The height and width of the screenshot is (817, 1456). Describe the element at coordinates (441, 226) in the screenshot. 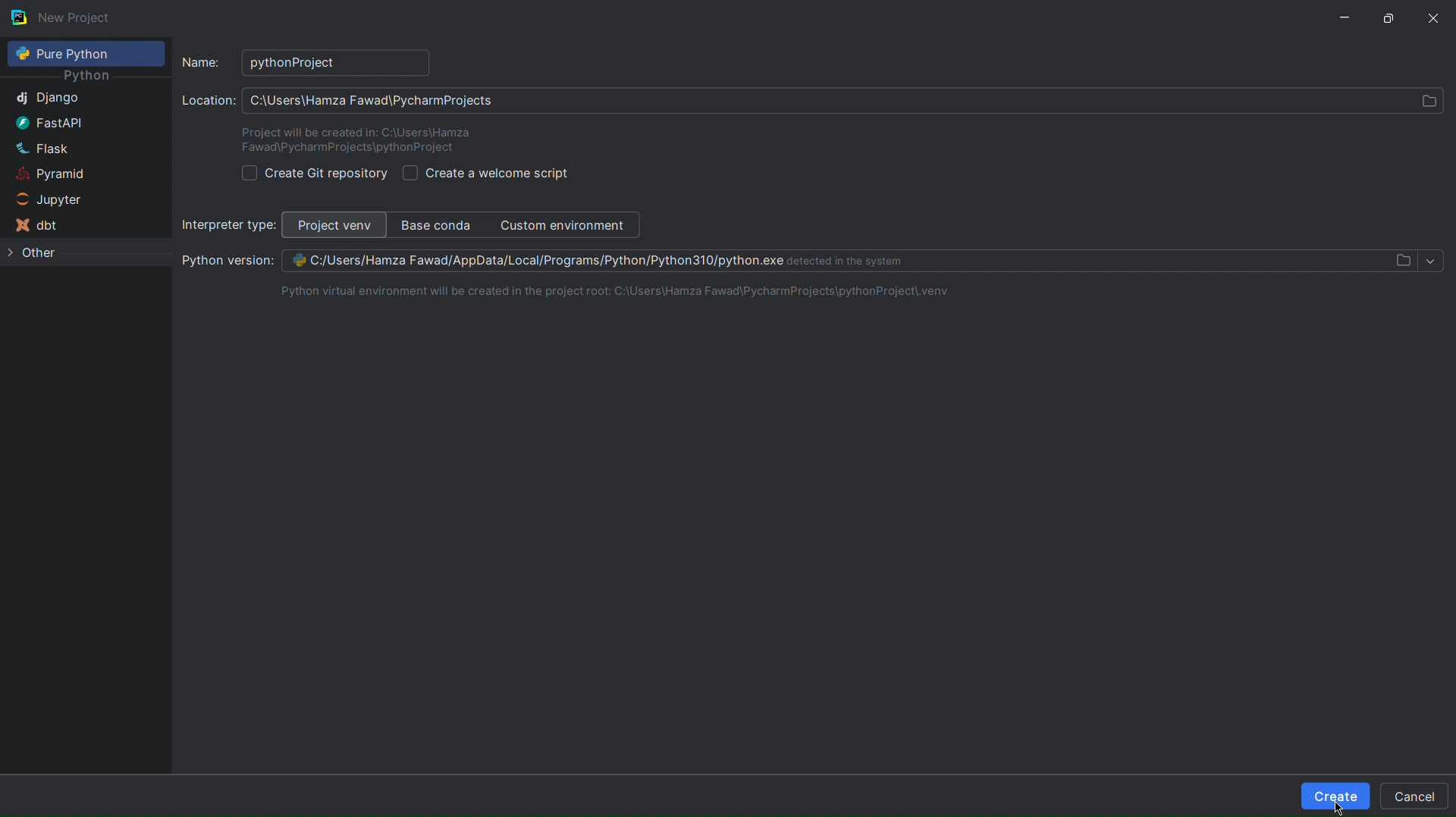

I see `Base conda` at that location.